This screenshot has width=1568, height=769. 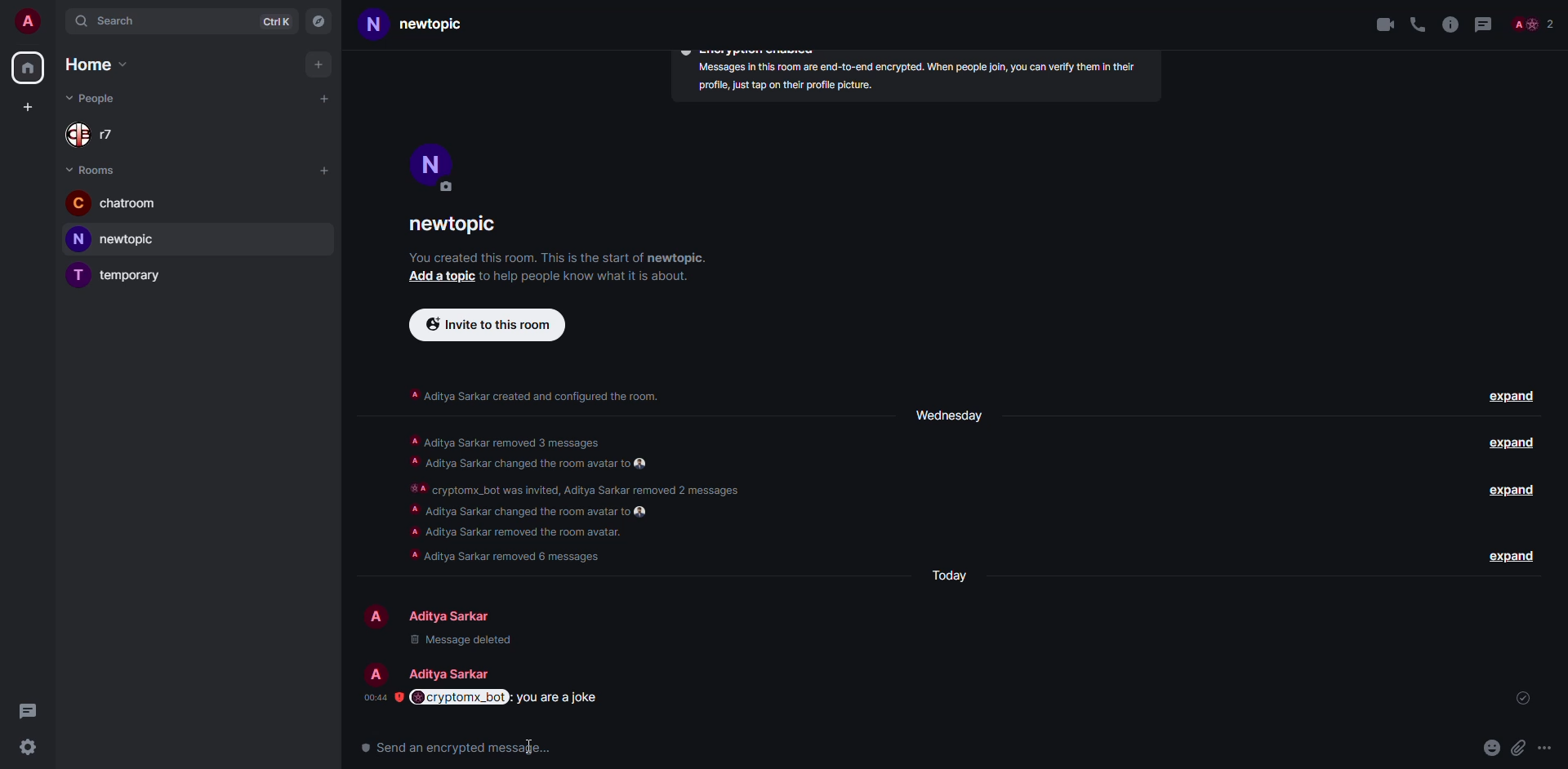 What do you see at coordinates (29, 68) in the screenshot?
I see `home` at bounding box center [29, 68].